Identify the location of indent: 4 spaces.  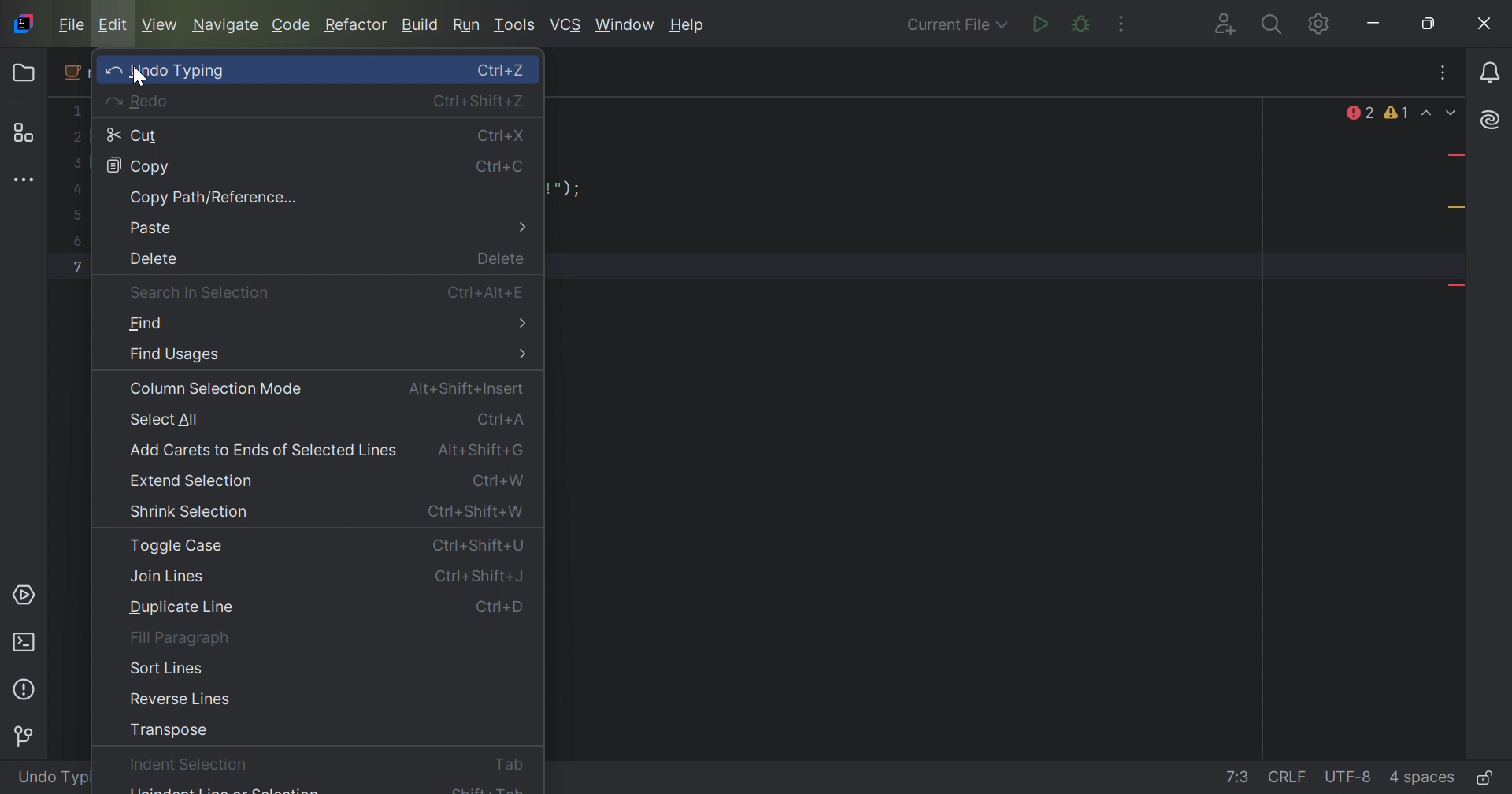
(1422, 775).